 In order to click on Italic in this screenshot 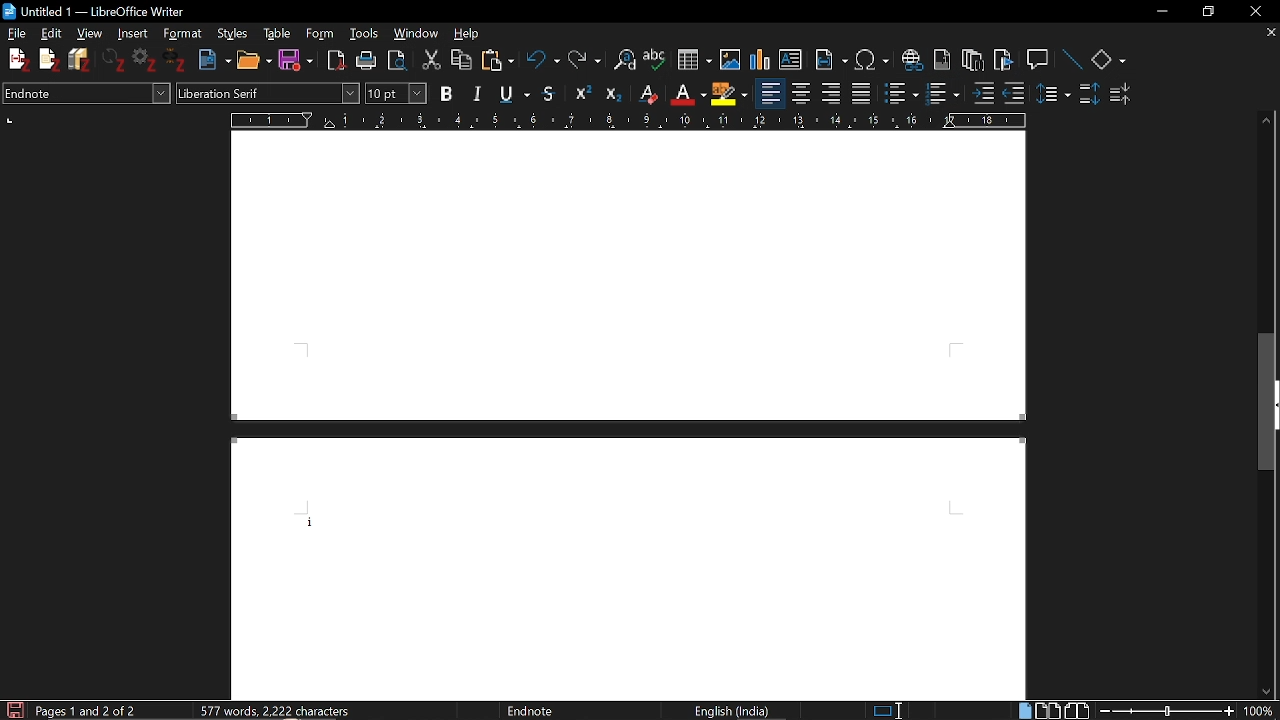, I will do `click(481, 93)`.